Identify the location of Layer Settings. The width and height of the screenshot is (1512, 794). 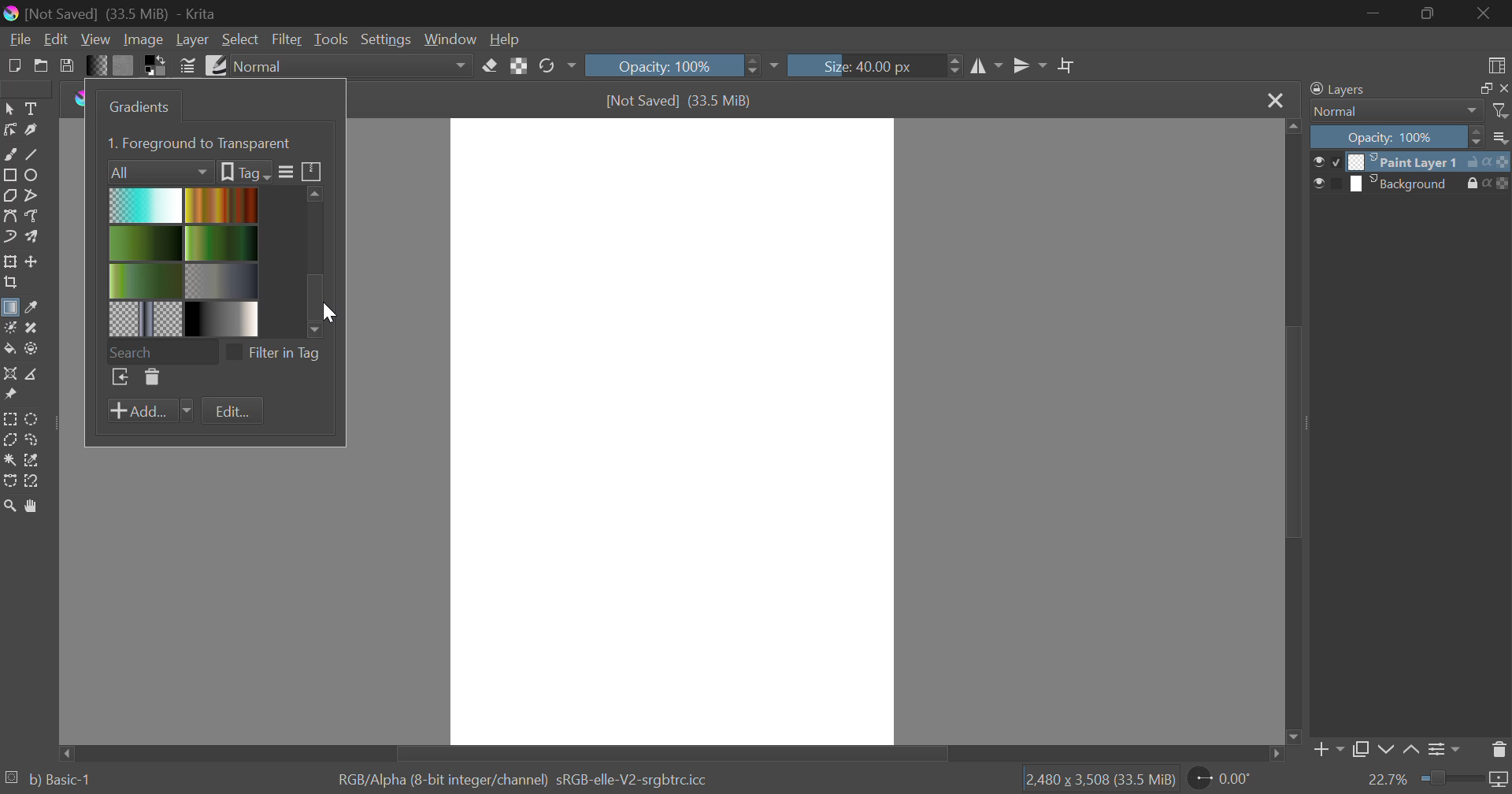
(1442, 749).